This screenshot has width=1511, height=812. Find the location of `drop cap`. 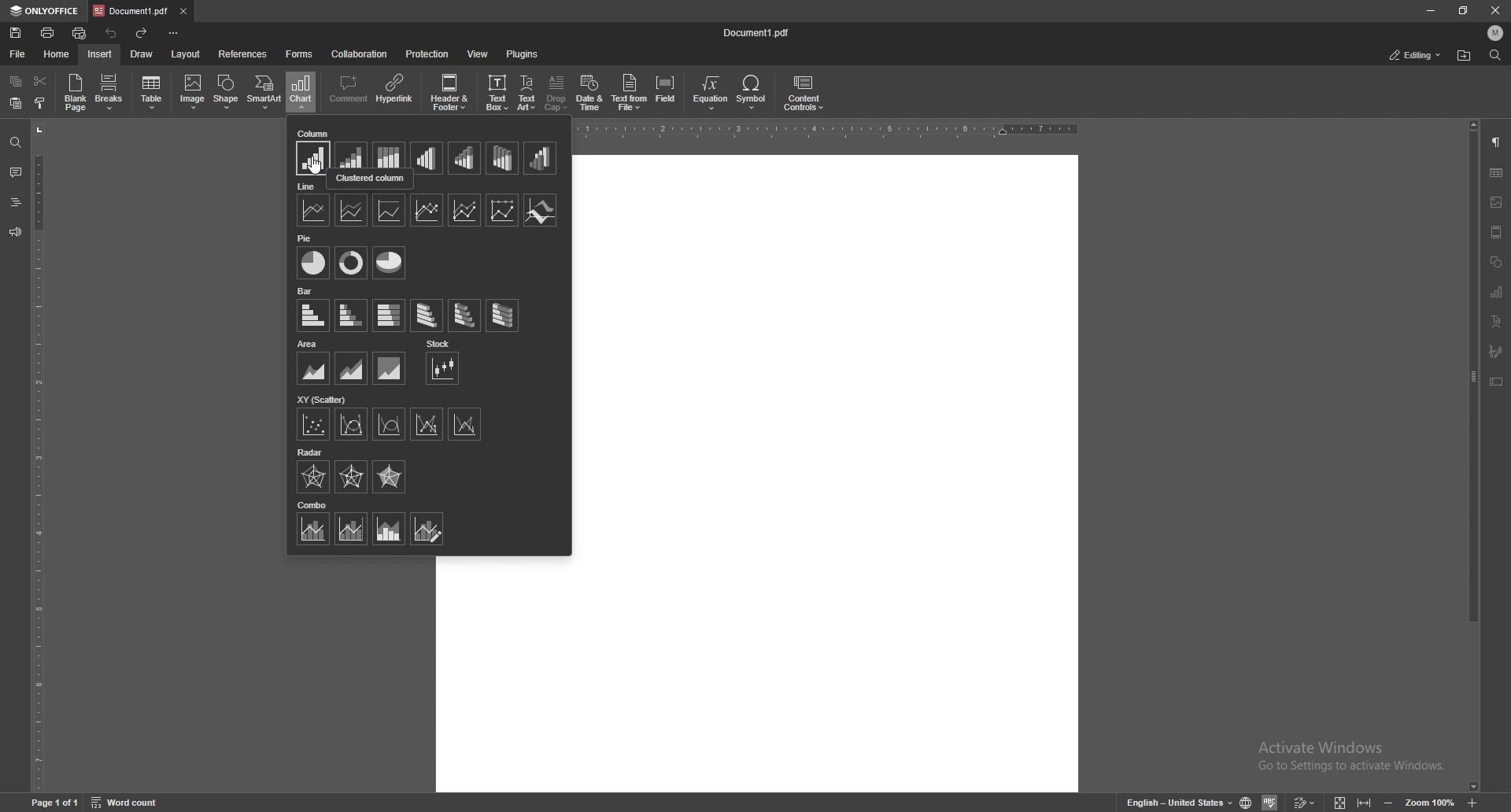

drop cap is located at coordinates (556, 94).